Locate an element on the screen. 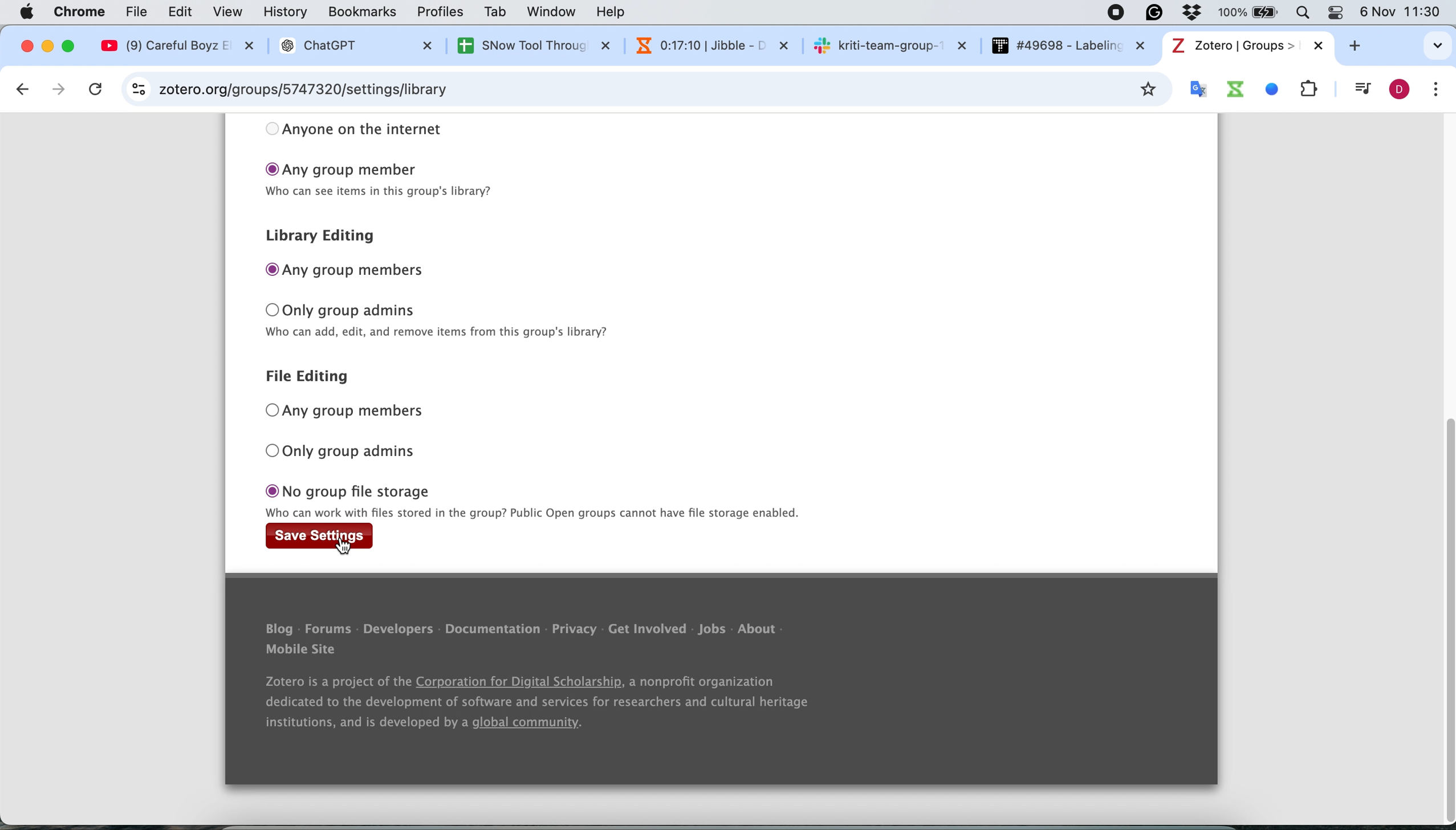 The width and height of the screenshot is (1456, 830). maximise is located at coordinates (72, 44).